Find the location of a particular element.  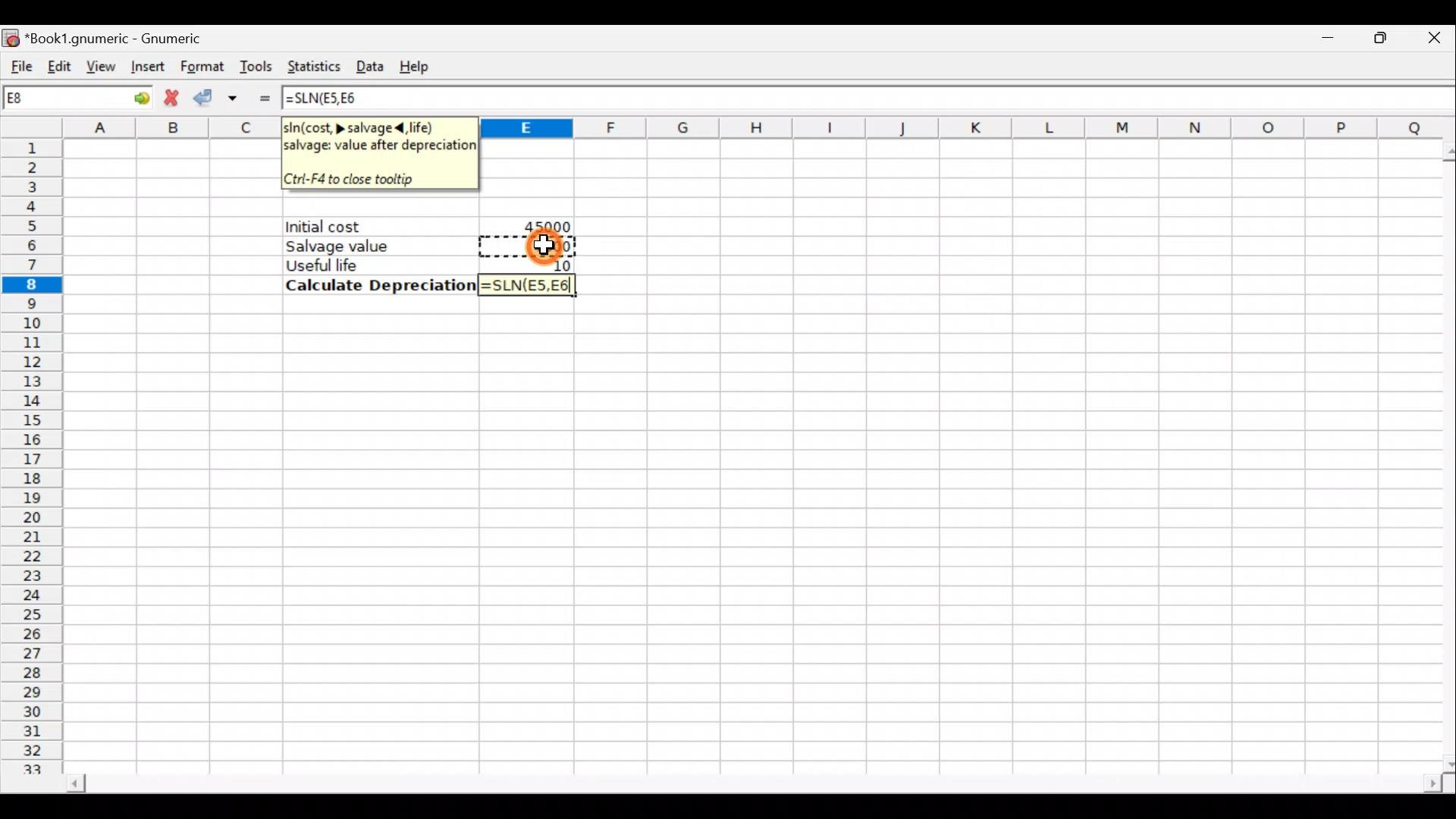

Maximize is located at coordinates (1373, 41).